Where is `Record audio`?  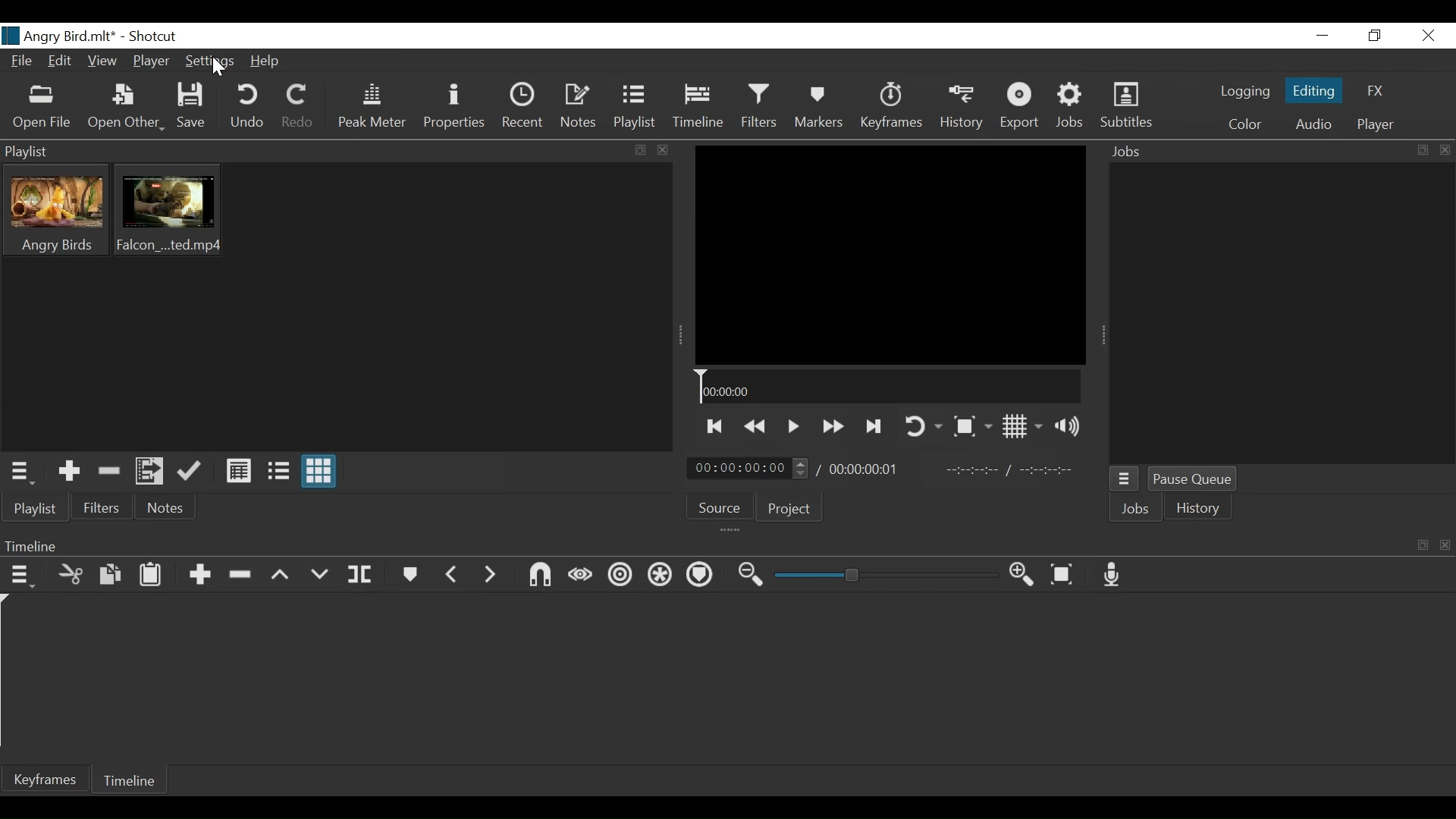
Record audio is located at coordinates (1113, 573).